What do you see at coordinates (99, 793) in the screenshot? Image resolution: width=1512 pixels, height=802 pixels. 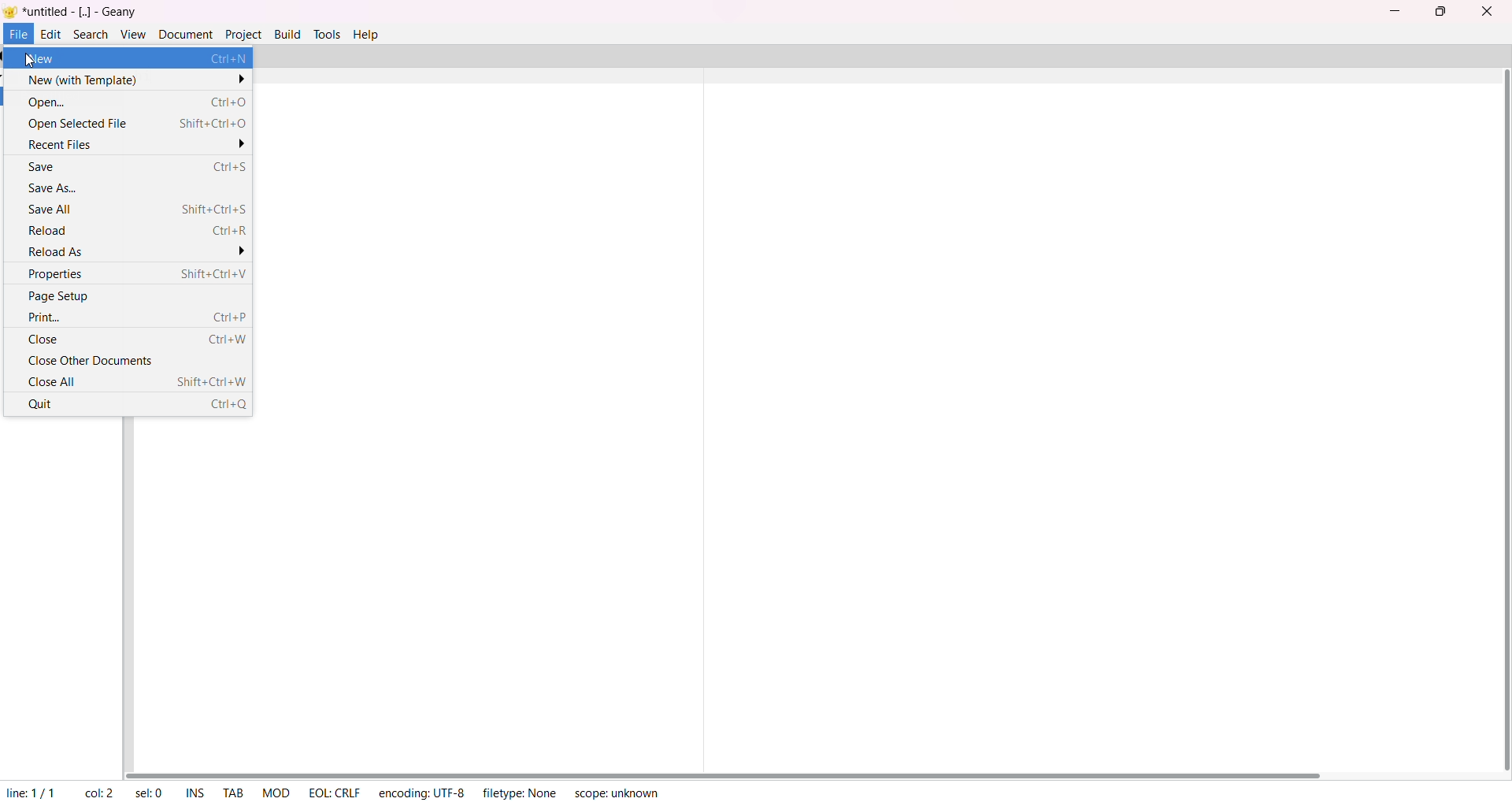 I see `col: 2` at bounding box center [99, 793].